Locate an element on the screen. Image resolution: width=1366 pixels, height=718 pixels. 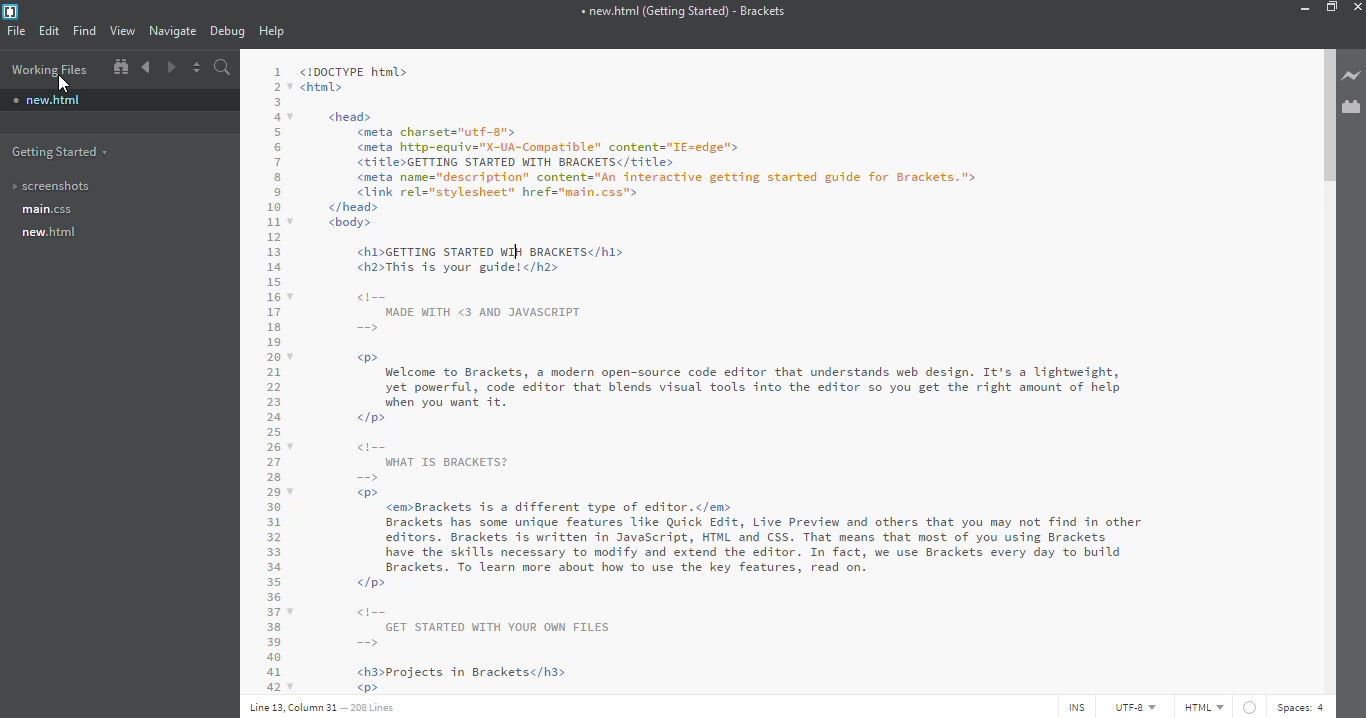
code line is located at coordinates (274, 374).